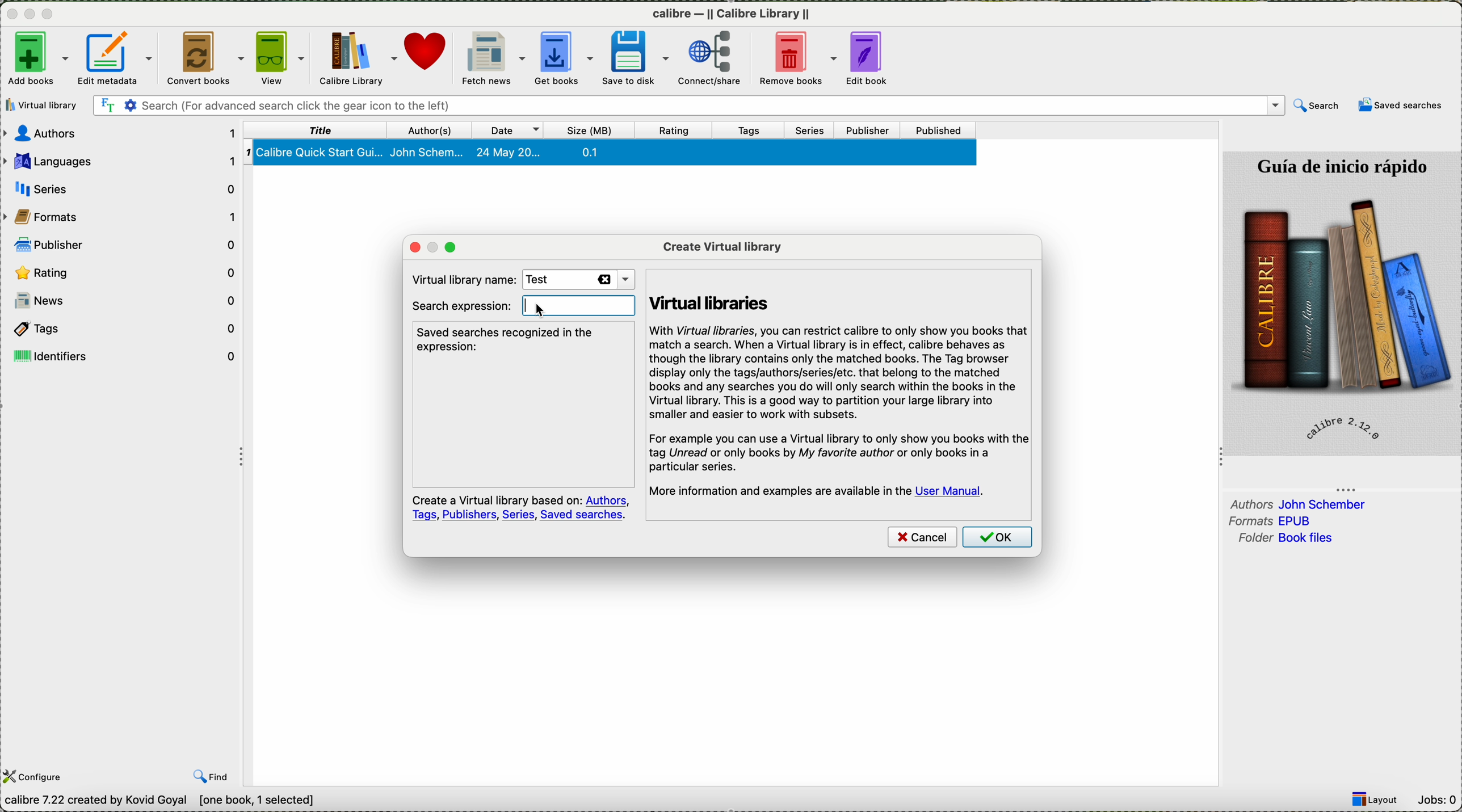 The height and width of the screenshot is (812, 1462). What do you see at coordinates (460, 306) in the screenshot?
I see `search expression` at bounding box center [460, 306].